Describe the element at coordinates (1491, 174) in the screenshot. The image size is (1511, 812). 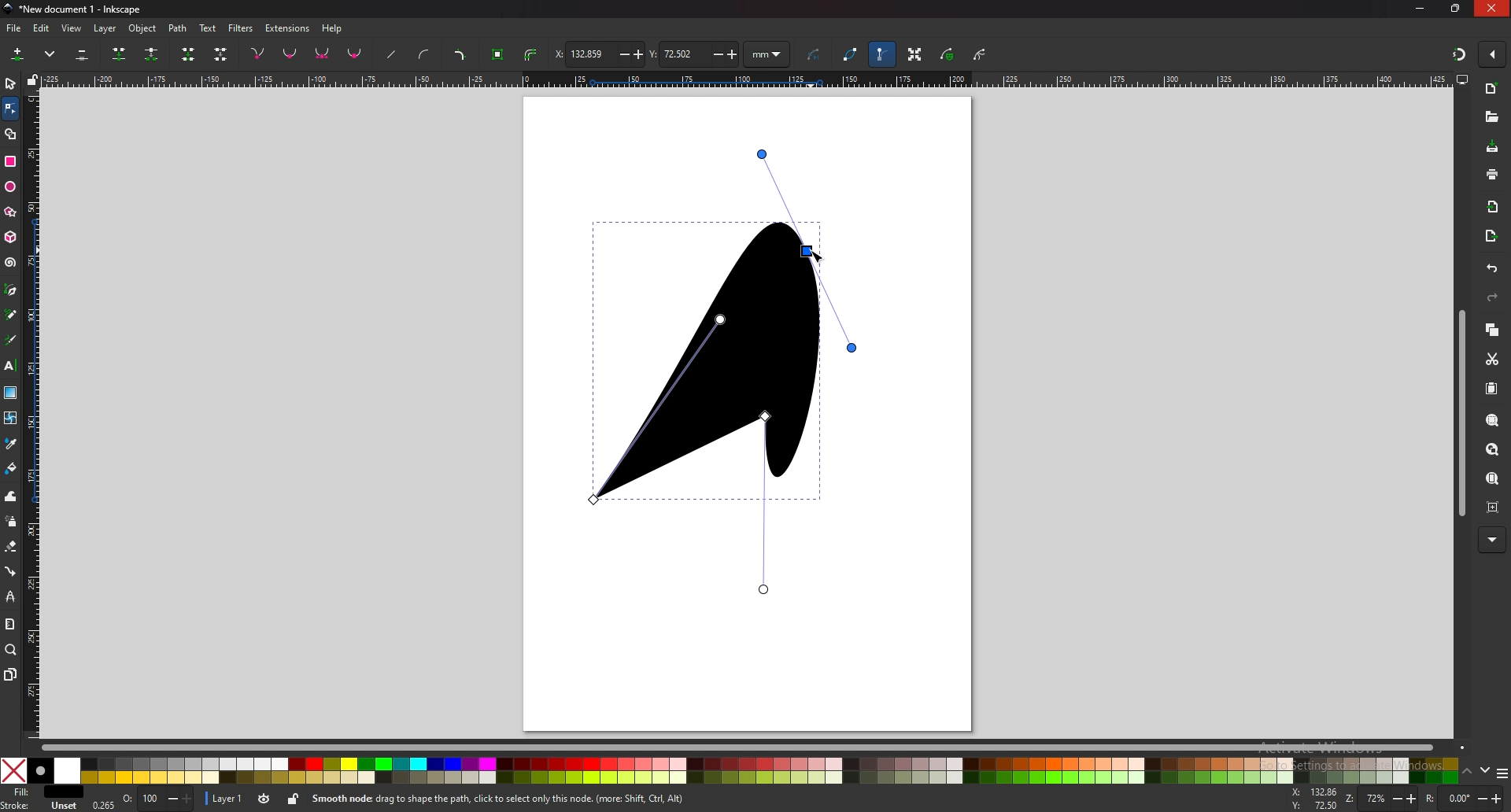
I see `print` at that location.